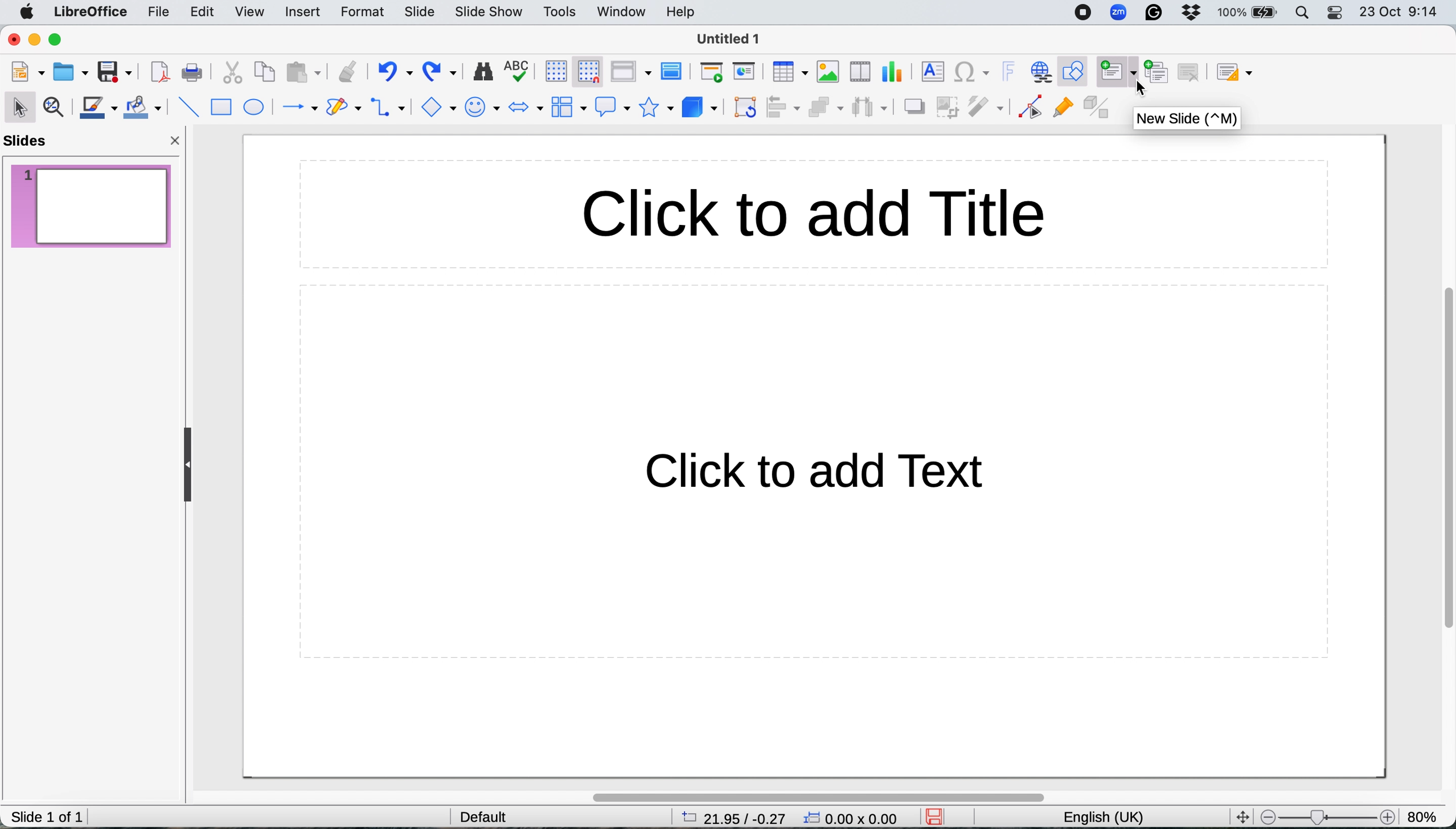  Describe the element at coordinates (1159, 72) in the screenshot. I see `duplicate slide` at that location.